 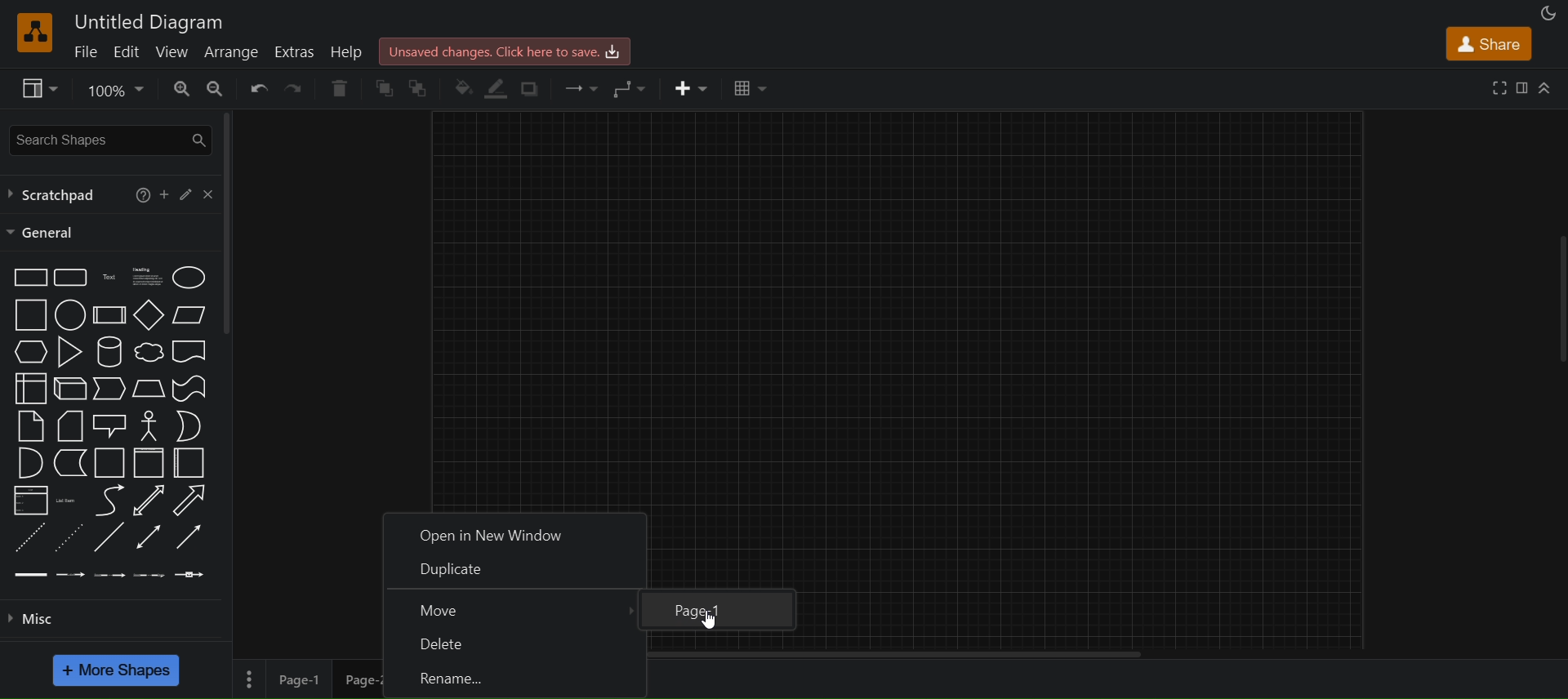 I want to click on page-1, so click(x=720, y=608).